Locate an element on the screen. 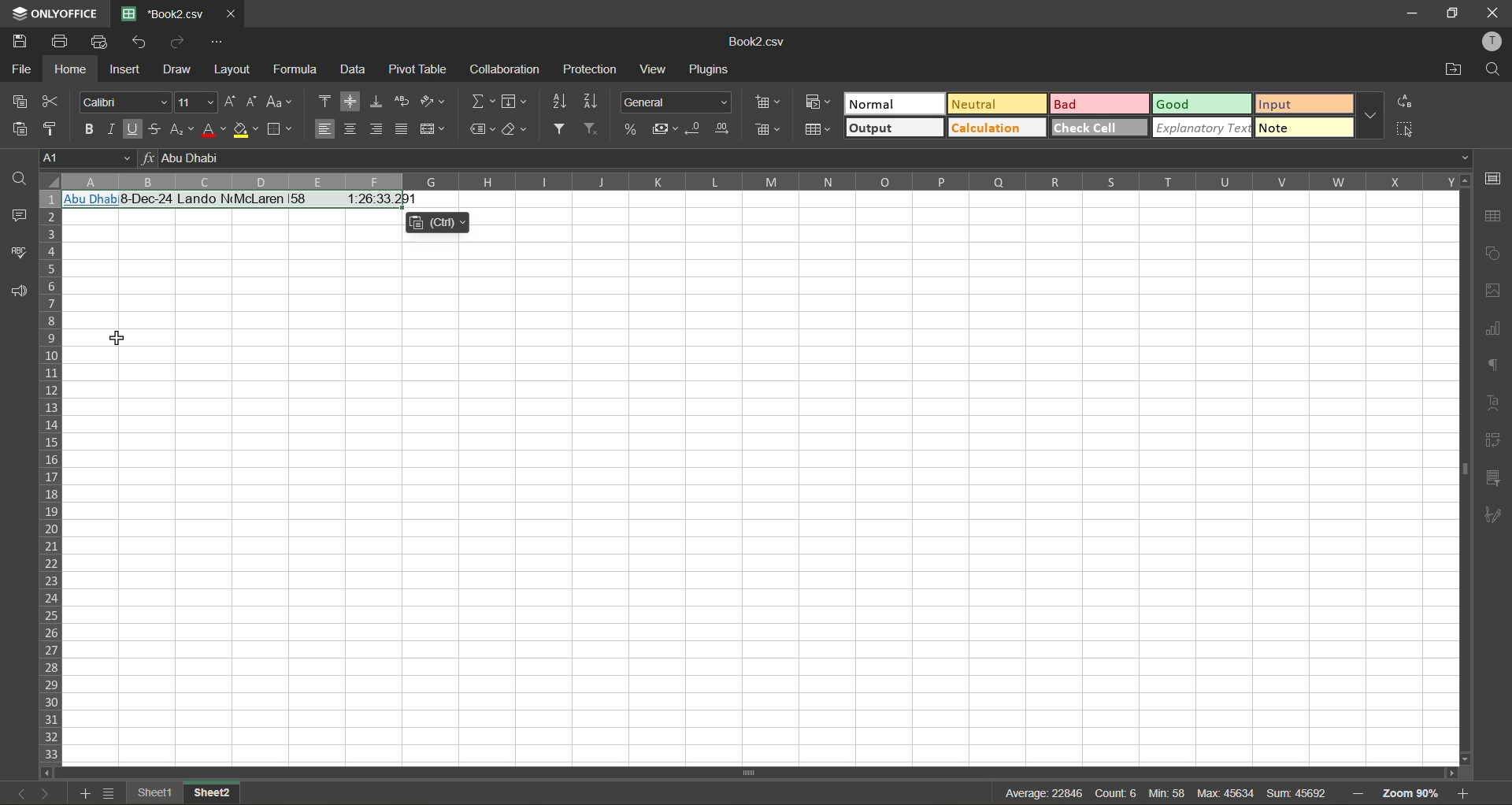  pivot table is located at coordinates (1495, 444).